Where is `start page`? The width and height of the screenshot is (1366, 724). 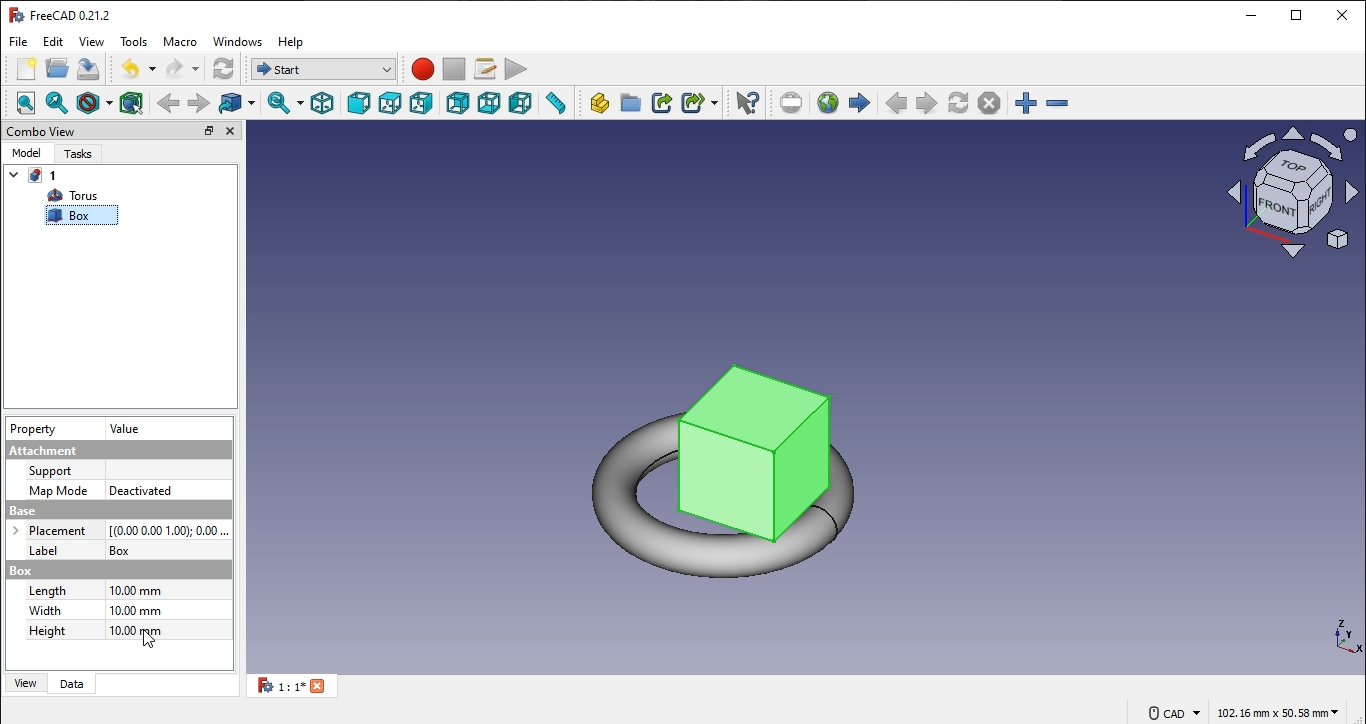
start page is located at coordinates (860, 102).